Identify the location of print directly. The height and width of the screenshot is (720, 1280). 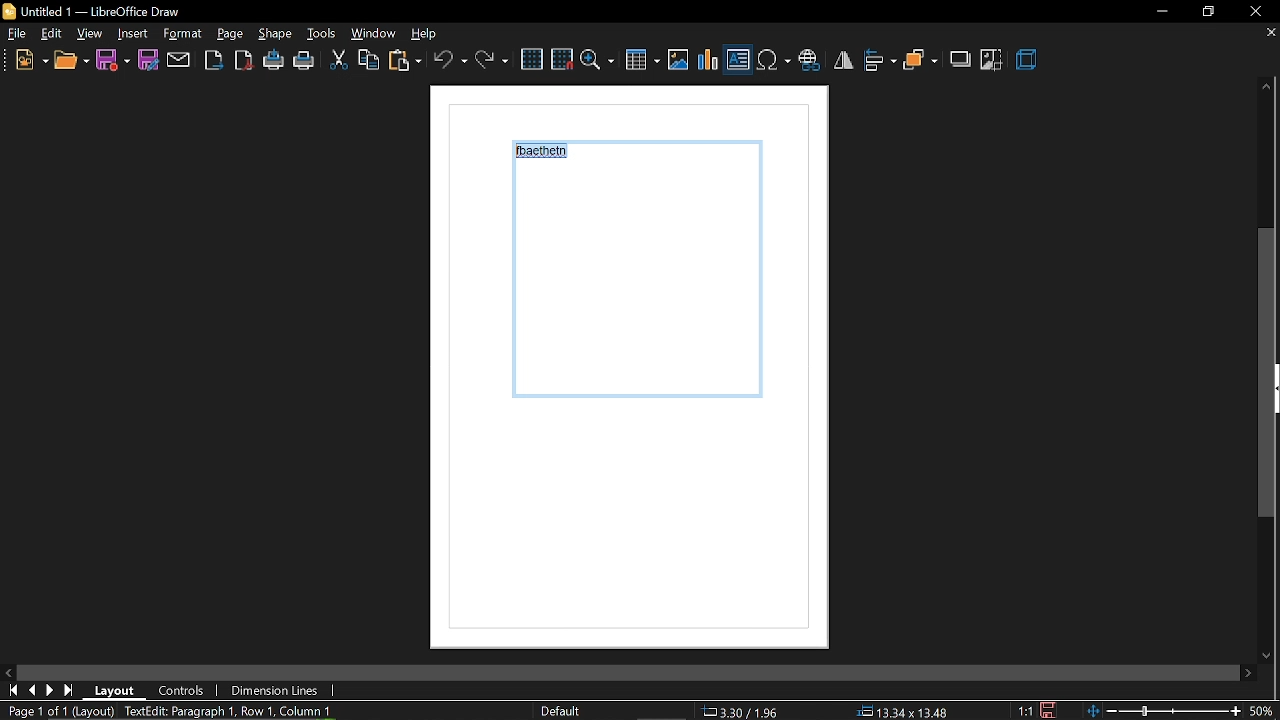
(274, 59).